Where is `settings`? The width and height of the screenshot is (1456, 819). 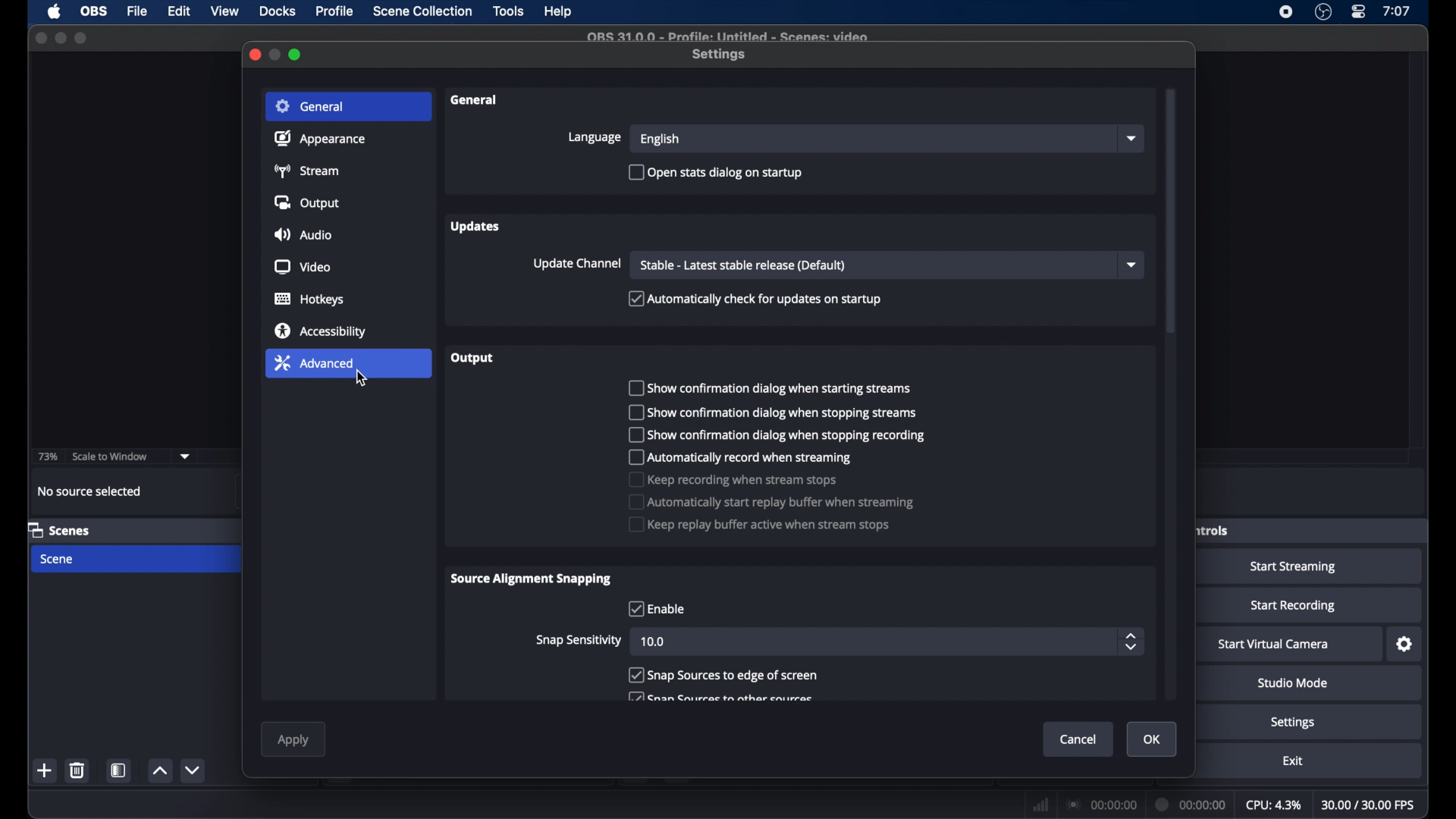 settings is located at coordinates (1293, 723).